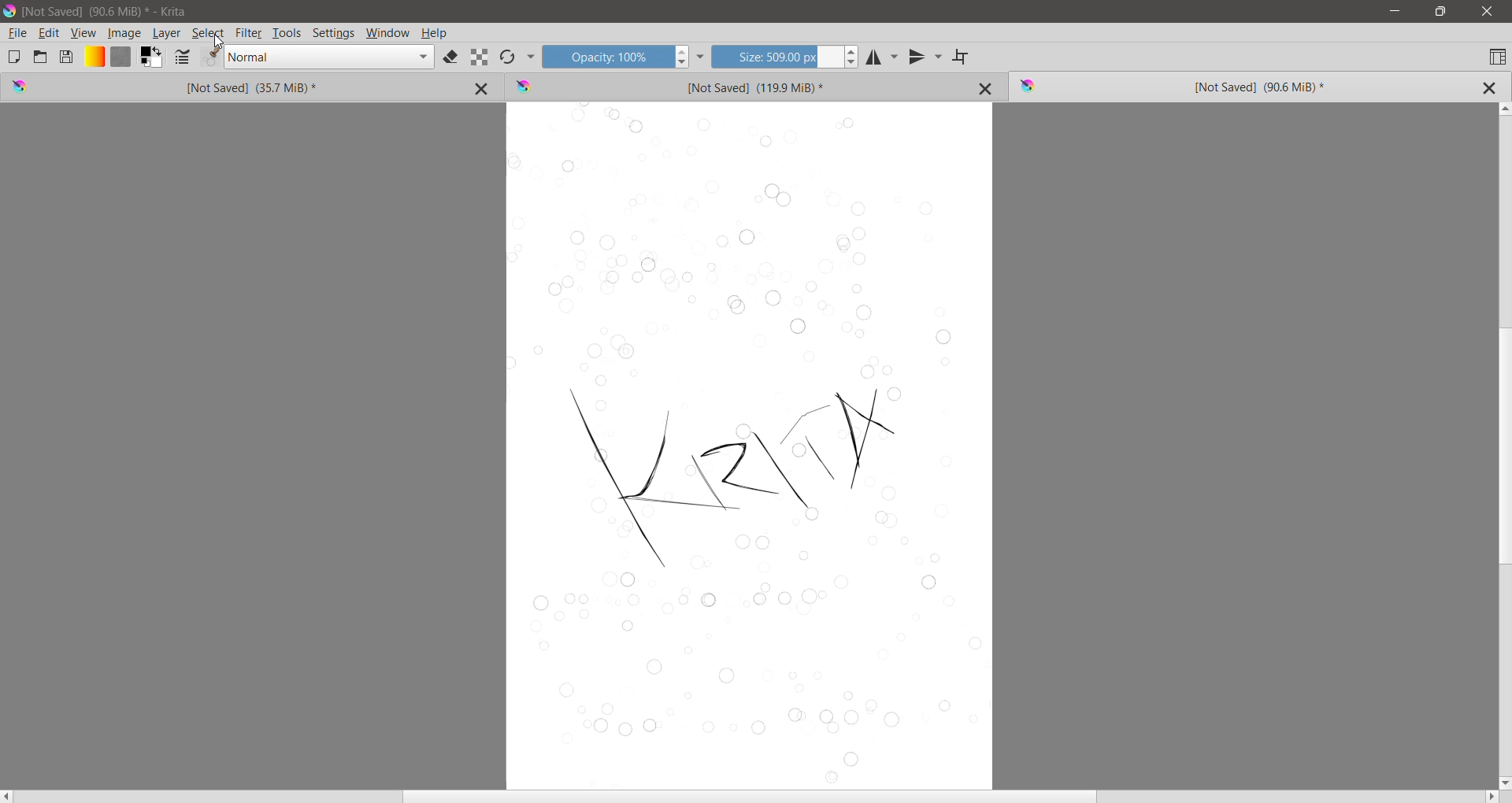  I want to click on Unsaved Image Tab 2, so click(730, 86).